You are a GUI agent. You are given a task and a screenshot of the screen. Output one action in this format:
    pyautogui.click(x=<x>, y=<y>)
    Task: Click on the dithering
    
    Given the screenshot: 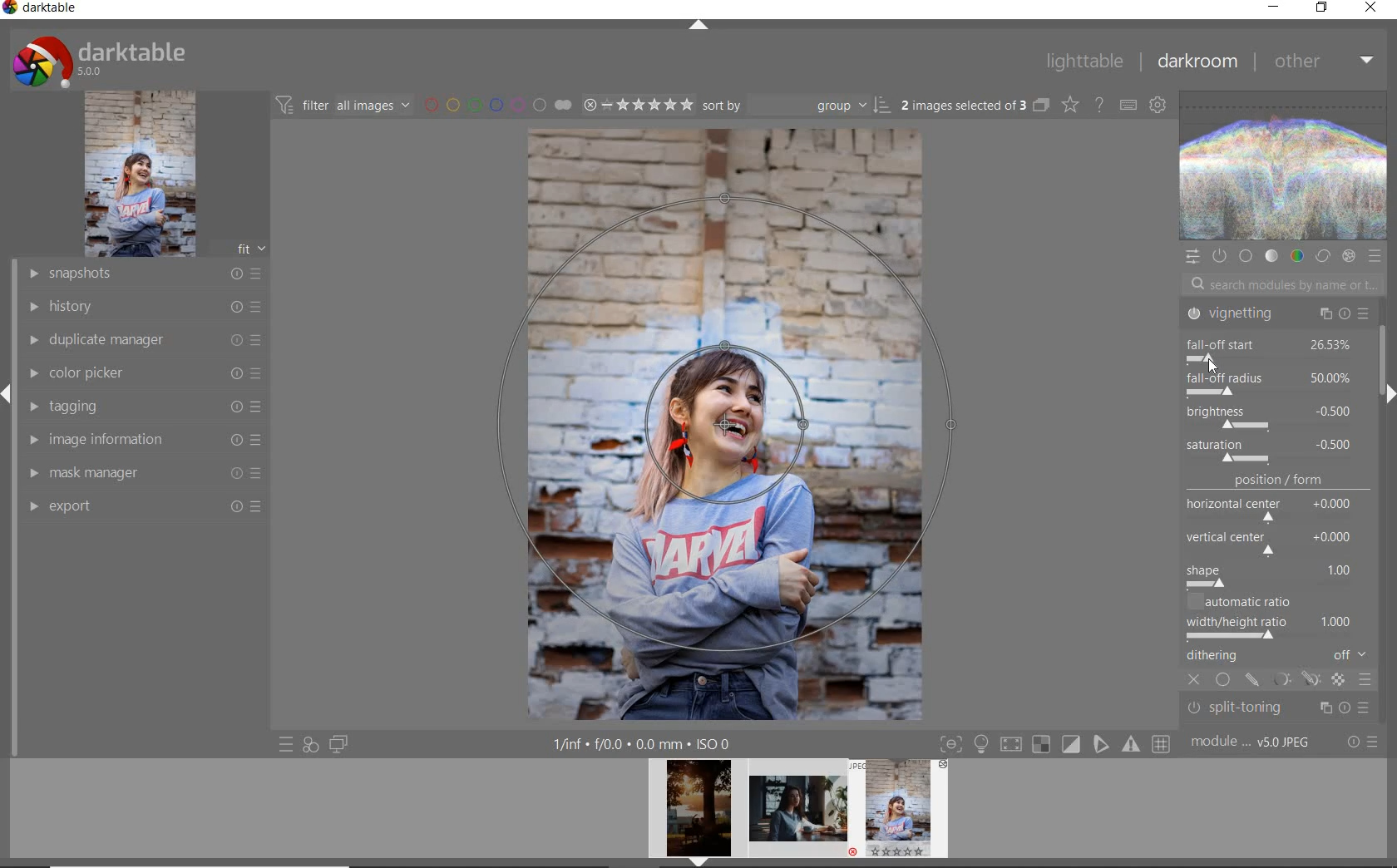 What is the action you would take?
    pyautogui.click(x=1279, y=657)
    